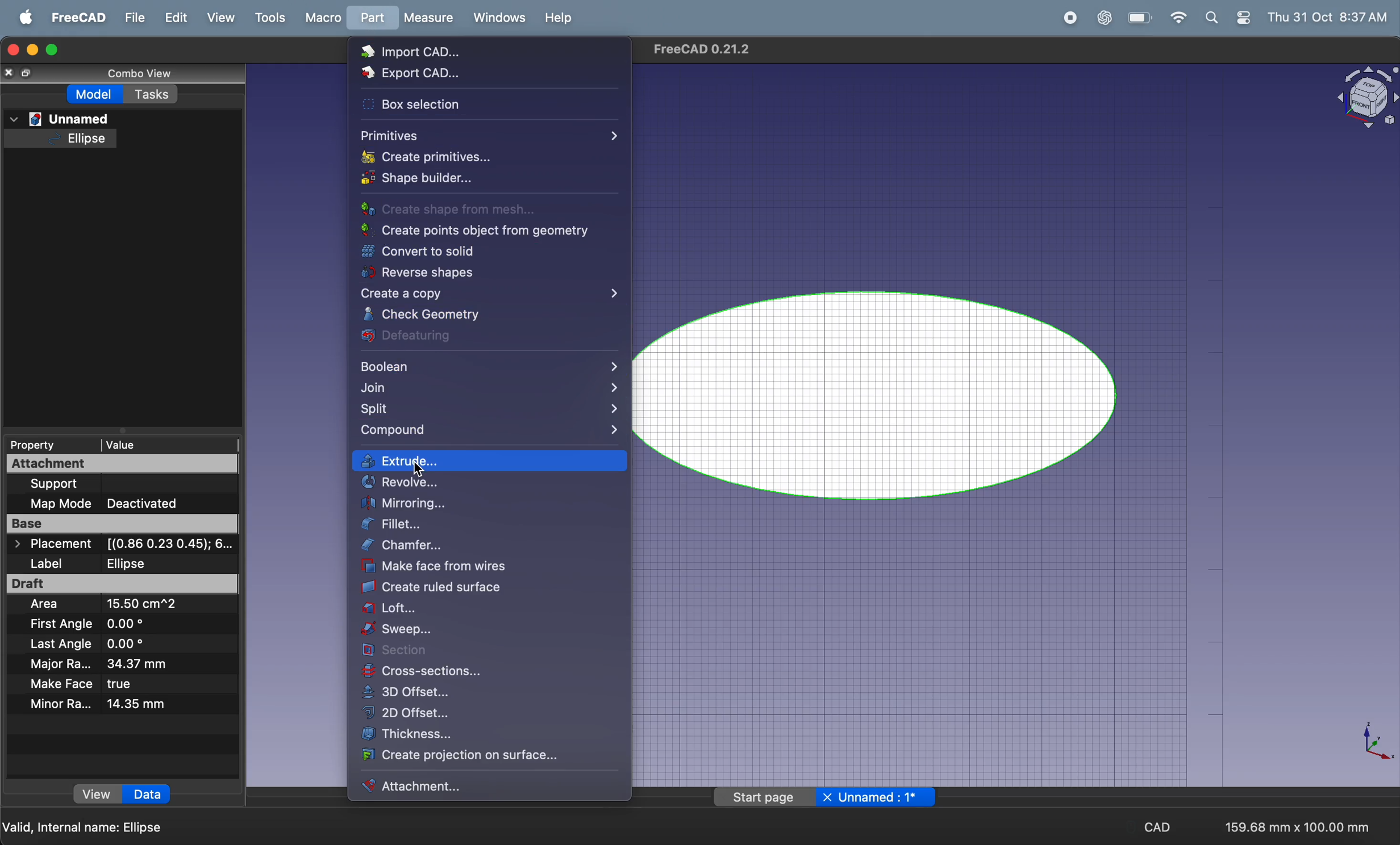 The image size is (1400, 845). Describe the element at coordinates (823, 798) in the screenshot. I see `page title` at that location.